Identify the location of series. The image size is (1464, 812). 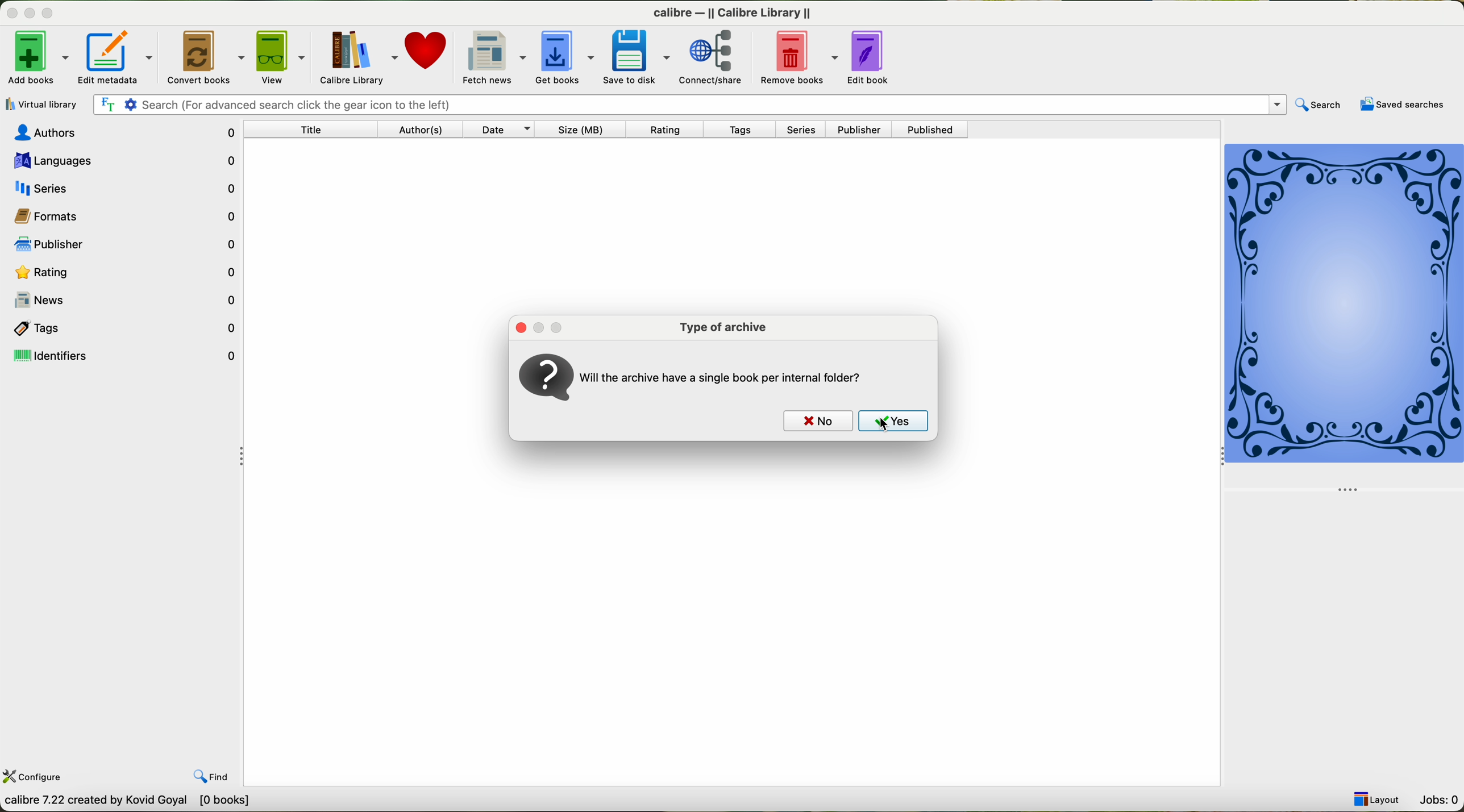
(806, 131).